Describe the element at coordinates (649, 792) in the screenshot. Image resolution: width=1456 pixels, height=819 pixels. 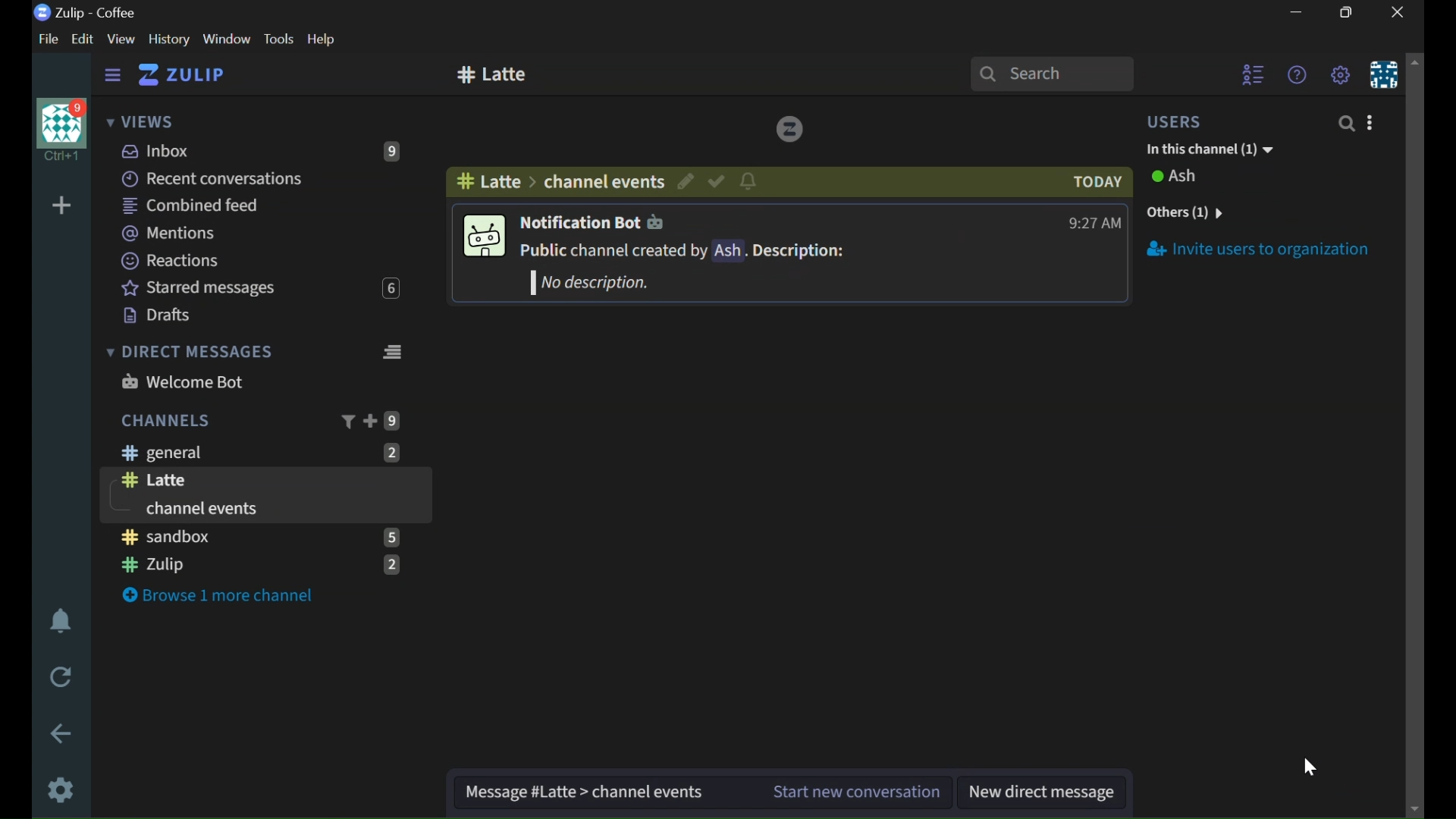
I see `Channel events` at that location.